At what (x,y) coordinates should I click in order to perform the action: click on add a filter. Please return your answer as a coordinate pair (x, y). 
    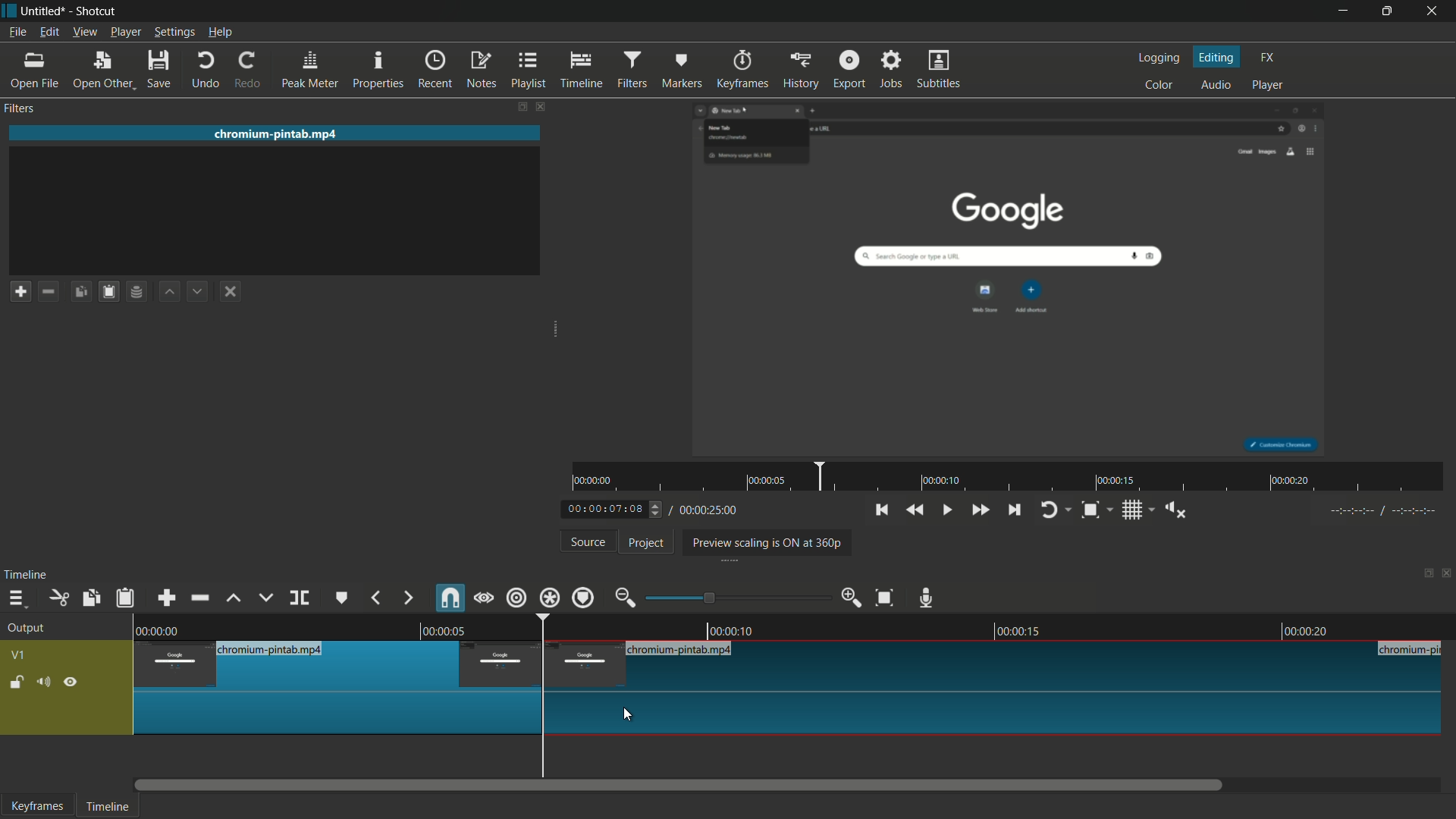
    Looking at the image, I should click on (20, 291).